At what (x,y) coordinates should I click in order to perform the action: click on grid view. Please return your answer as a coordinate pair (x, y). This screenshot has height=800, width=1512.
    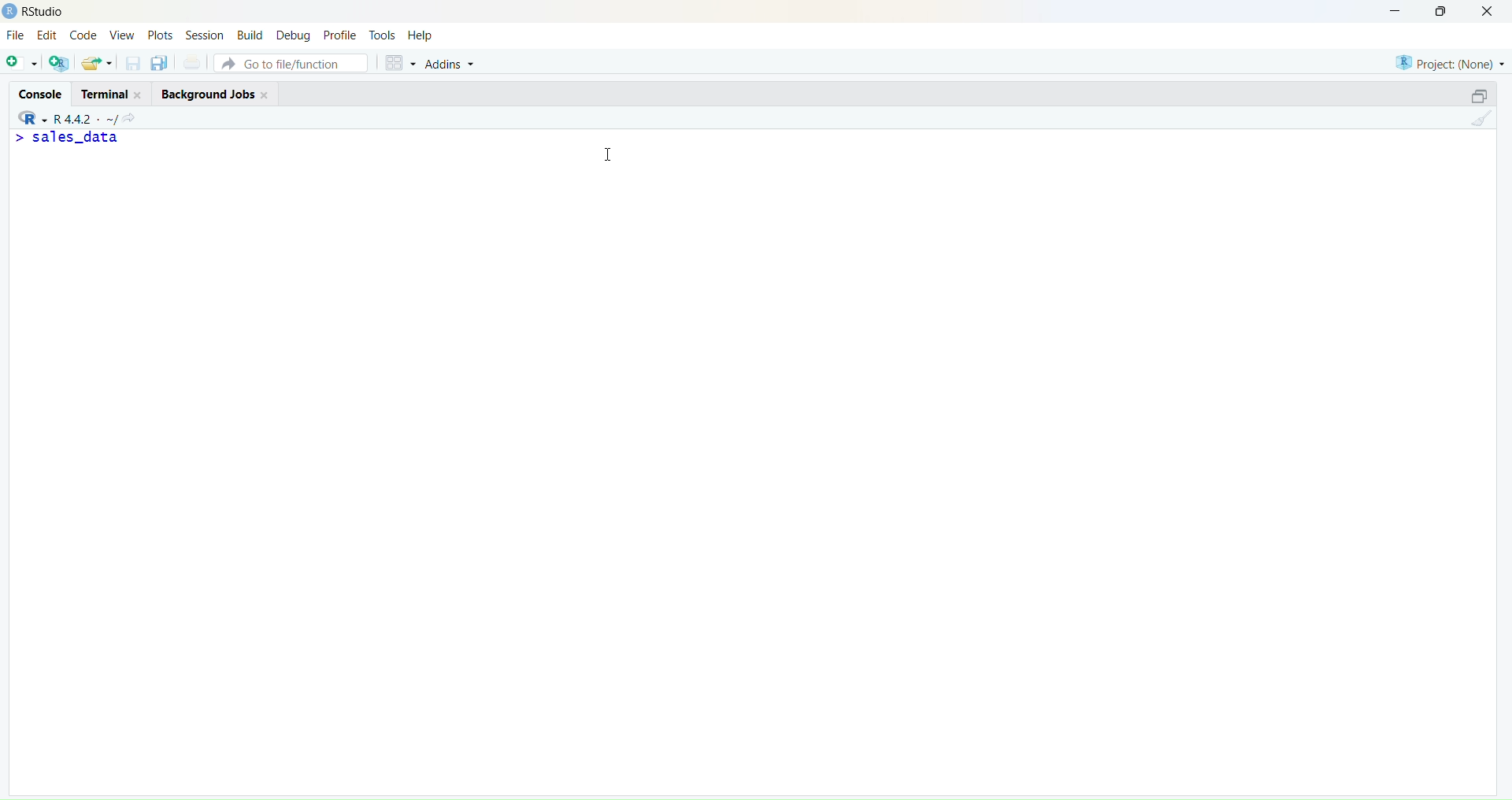
    Looking at the image, I should click on (397, 65).